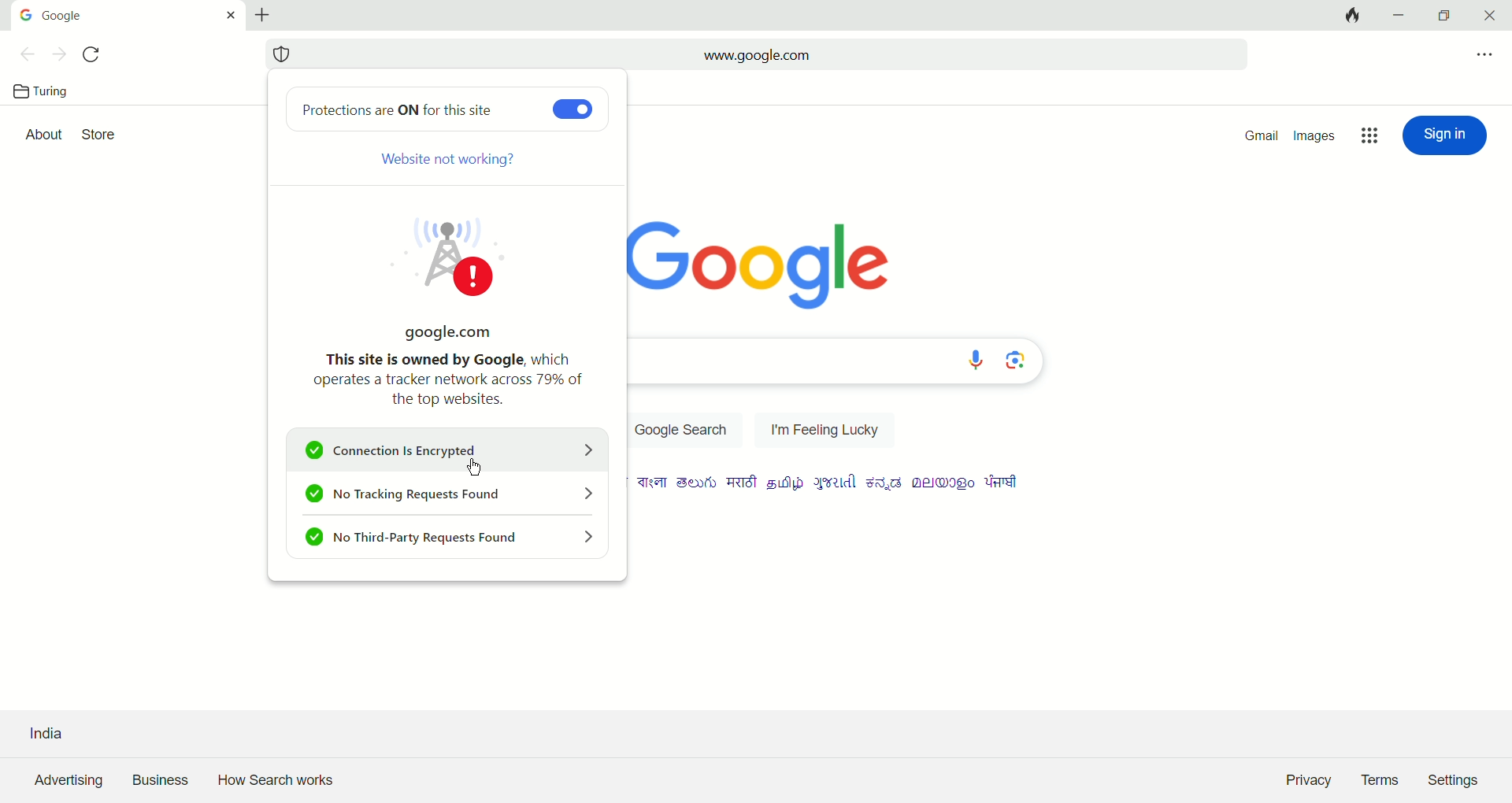 Image resolution: width=1512 pixels, height=803 pixels. I want to click on new tab, so click(262, 13).